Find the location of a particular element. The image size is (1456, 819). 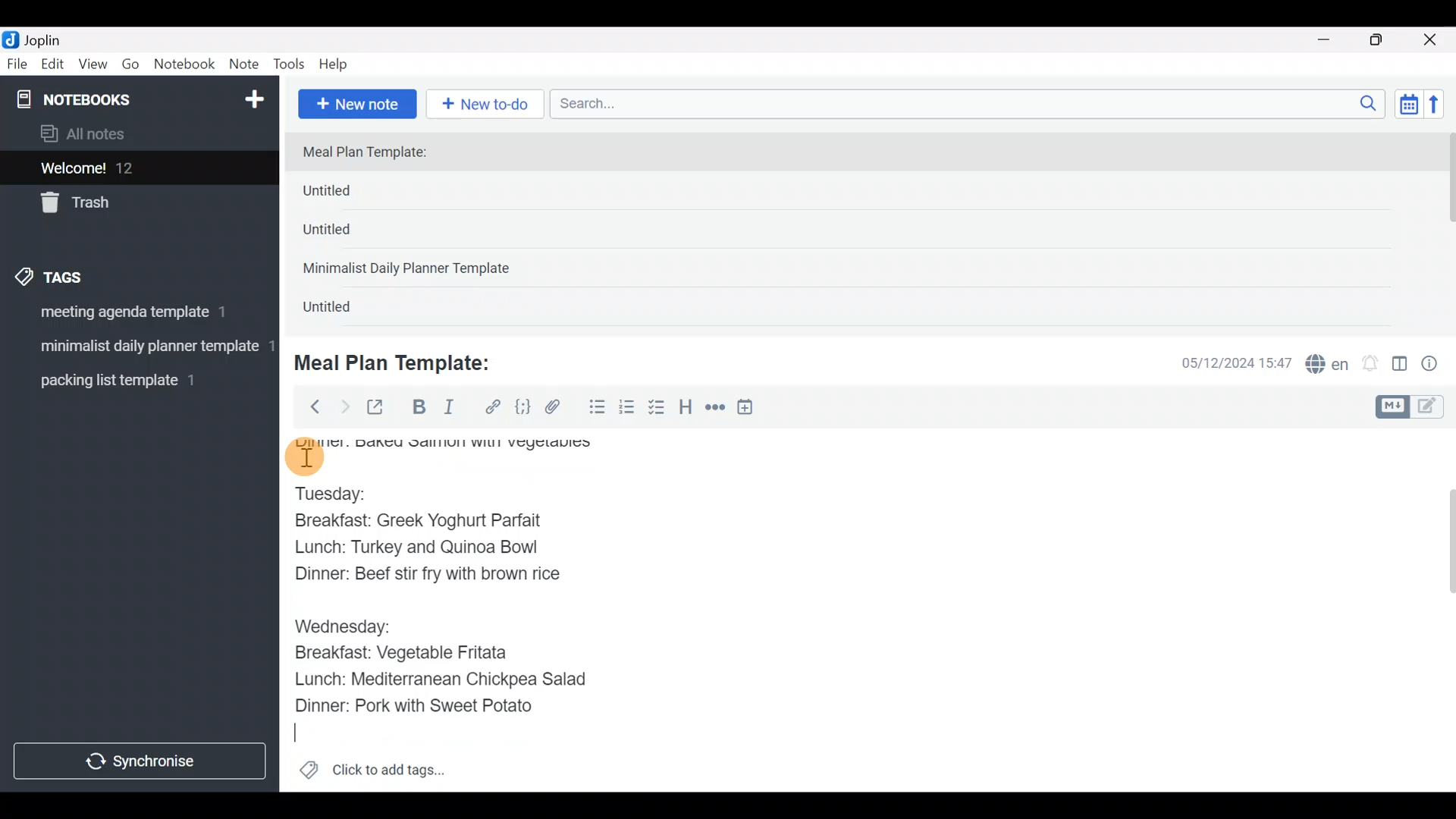

Spelling is located at coordinates (1328, 366).